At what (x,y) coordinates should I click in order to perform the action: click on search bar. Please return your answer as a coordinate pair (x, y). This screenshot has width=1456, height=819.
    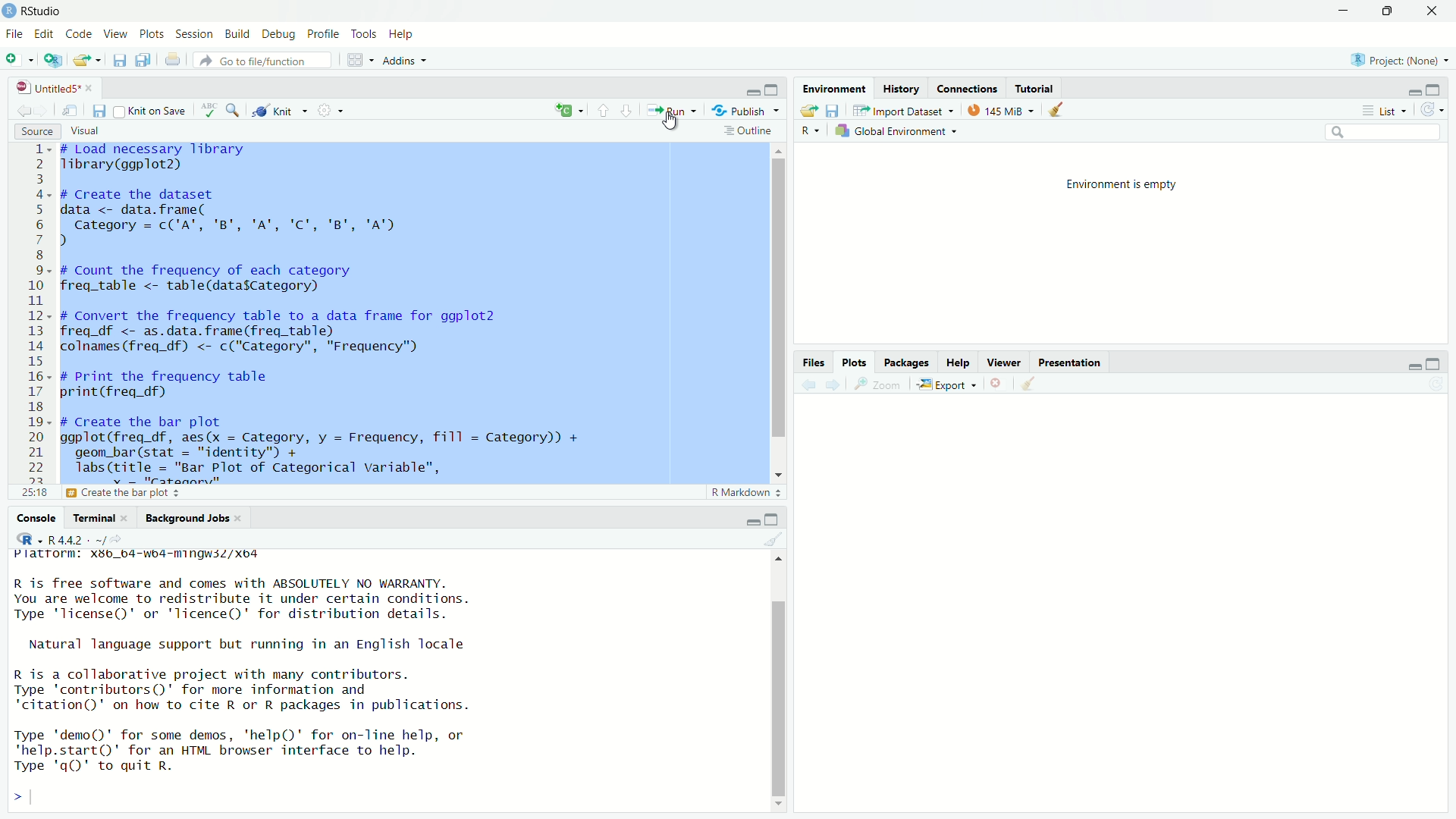
    Looking at the image, I should click on (1380, 132).